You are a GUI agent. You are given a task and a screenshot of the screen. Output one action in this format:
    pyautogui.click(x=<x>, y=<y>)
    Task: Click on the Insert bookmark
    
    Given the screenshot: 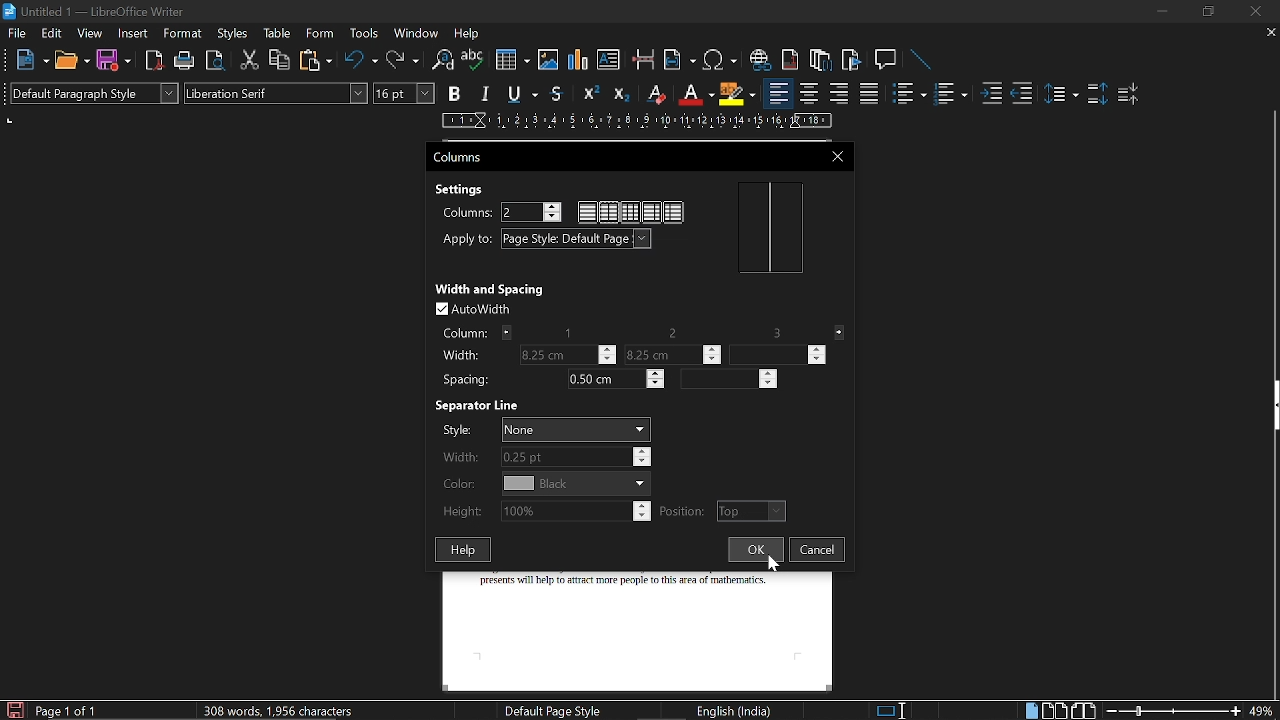 What is the action you would take?
    pyautogui.click(x=853, y=61)
    